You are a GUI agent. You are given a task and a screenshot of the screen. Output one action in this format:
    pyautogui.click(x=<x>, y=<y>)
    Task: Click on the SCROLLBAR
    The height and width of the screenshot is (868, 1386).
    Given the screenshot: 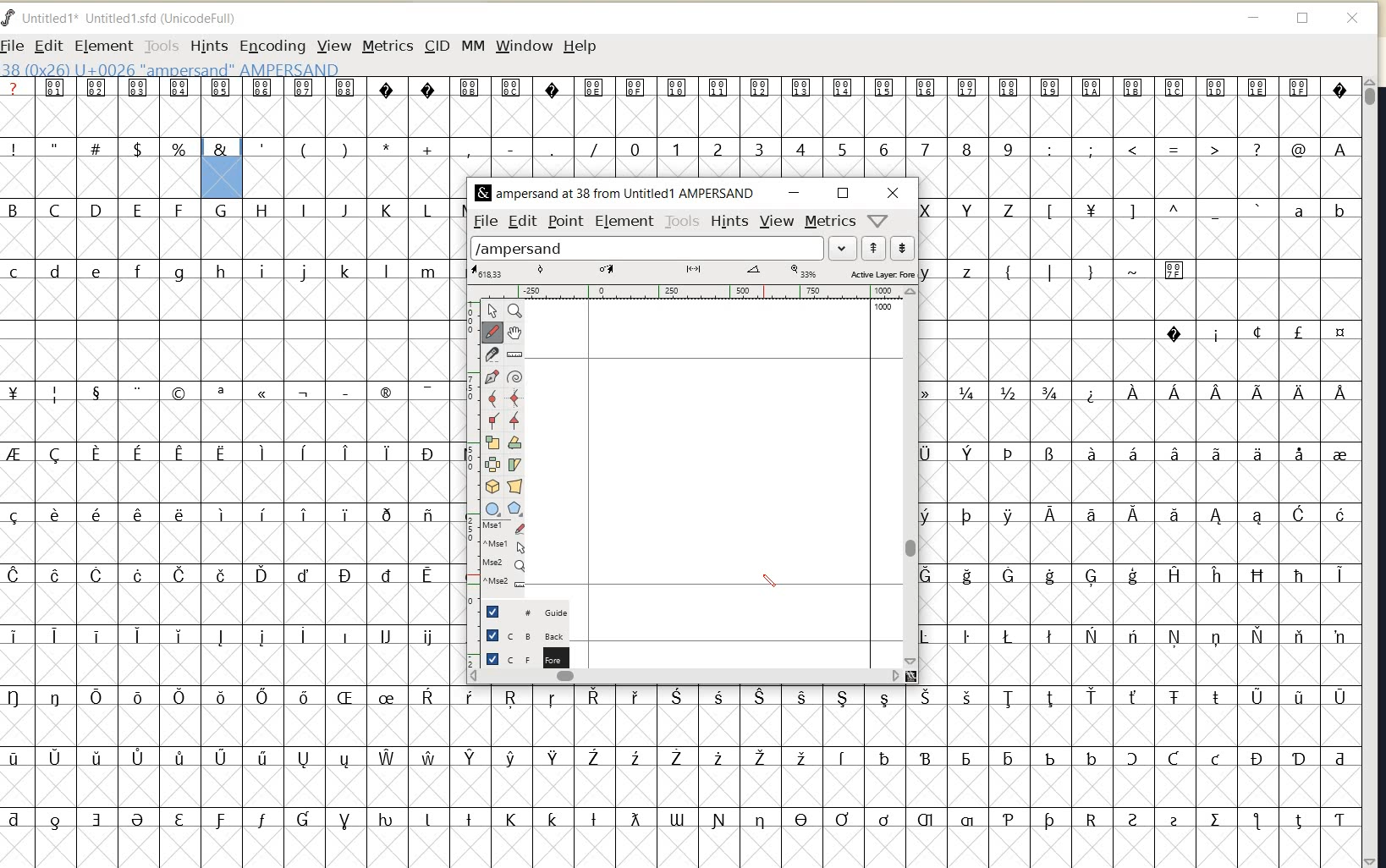 What is the action you would take?
    pyautogui.click(x=686, y=678)
    